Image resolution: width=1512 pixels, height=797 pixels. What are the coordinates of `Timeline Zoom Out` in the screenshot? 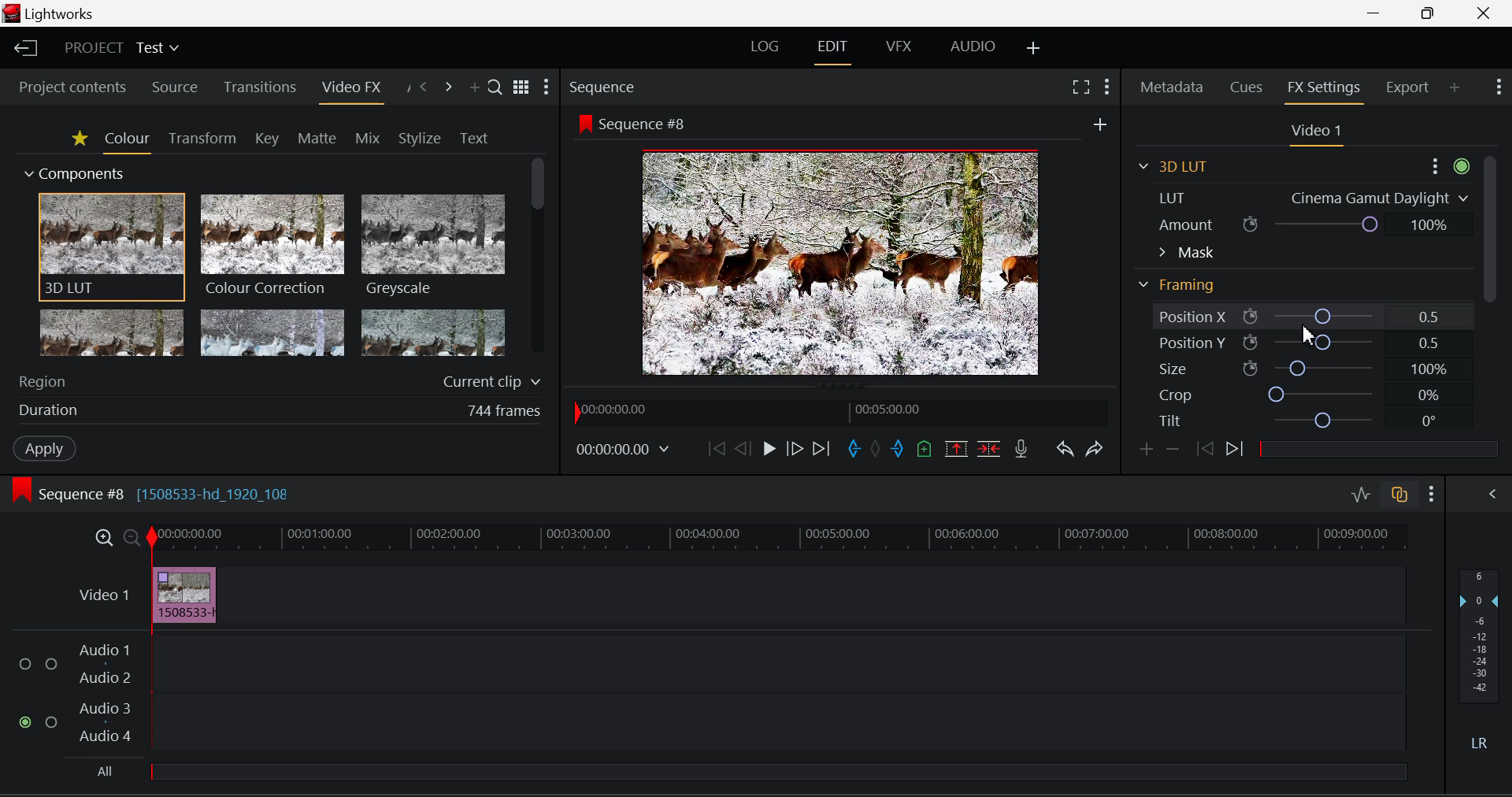 It's located at (131, 537).